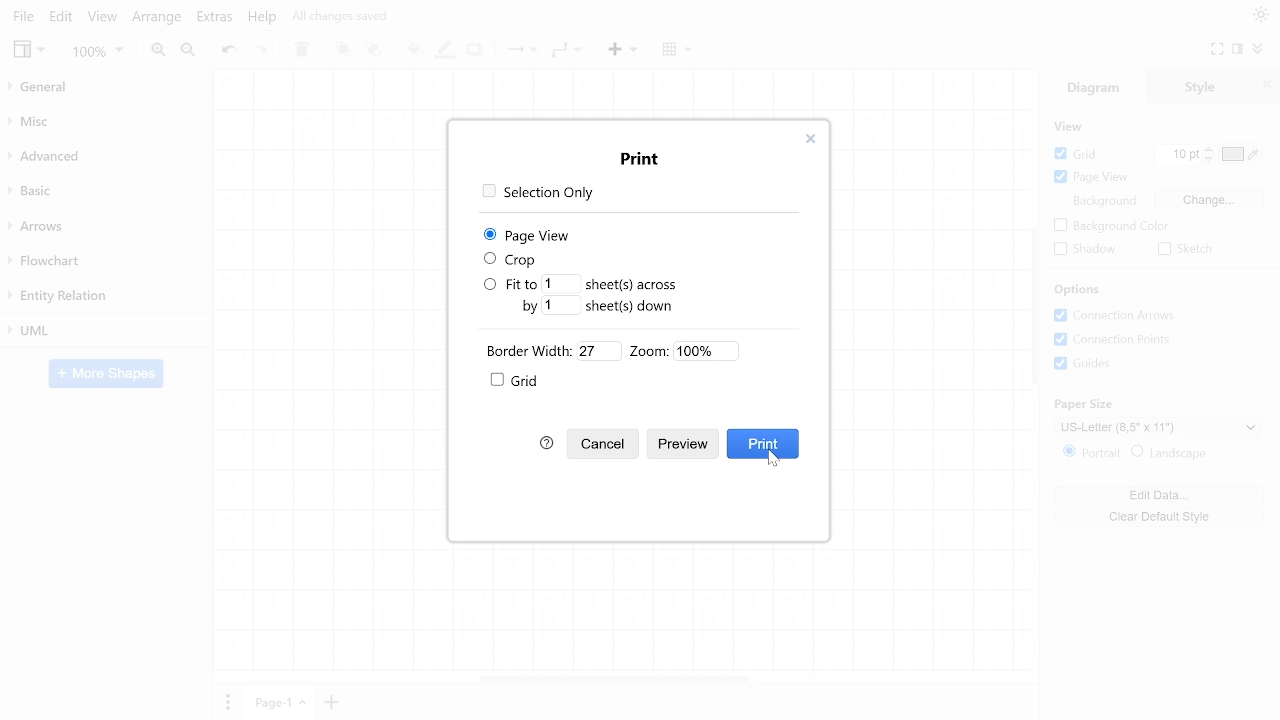  I want to click on page view, so click(529, 235).